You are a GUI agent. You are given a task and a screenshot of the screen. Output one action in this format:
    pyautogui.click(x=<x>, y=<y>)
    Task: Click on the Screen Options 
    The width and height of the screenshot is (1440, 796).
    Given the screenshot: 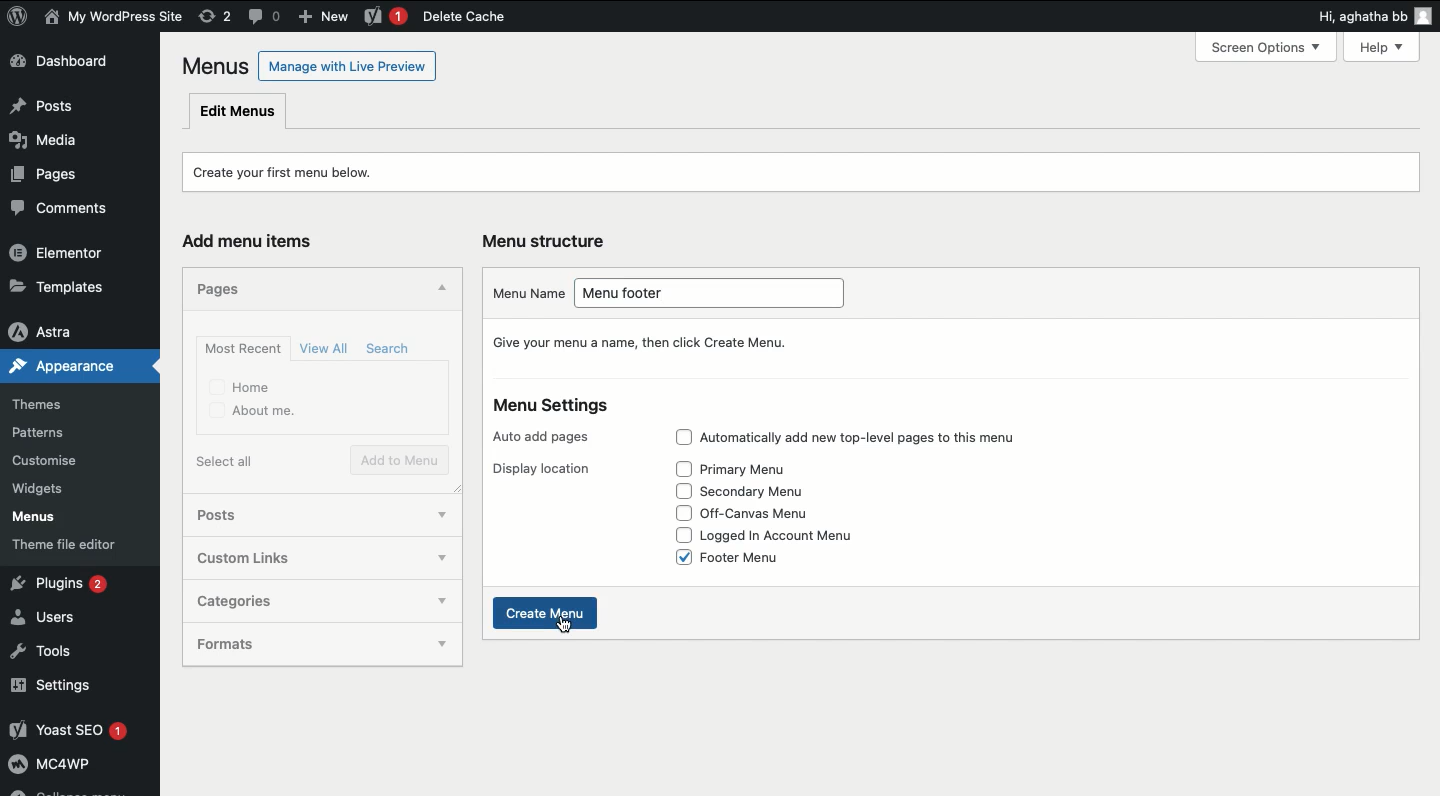 What is the action you would take?
    pyautogui.click(x=1274, y=47)
    